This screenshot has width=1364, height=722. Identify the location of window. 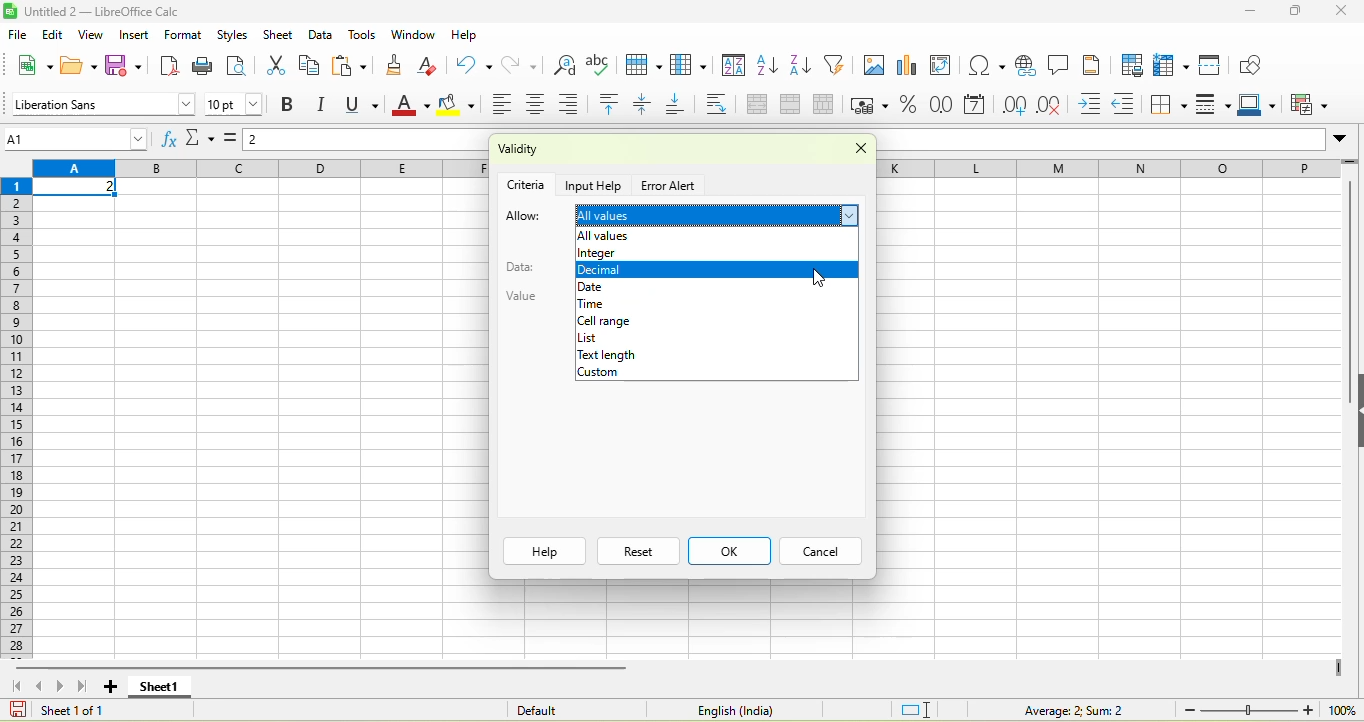
(412, 36).